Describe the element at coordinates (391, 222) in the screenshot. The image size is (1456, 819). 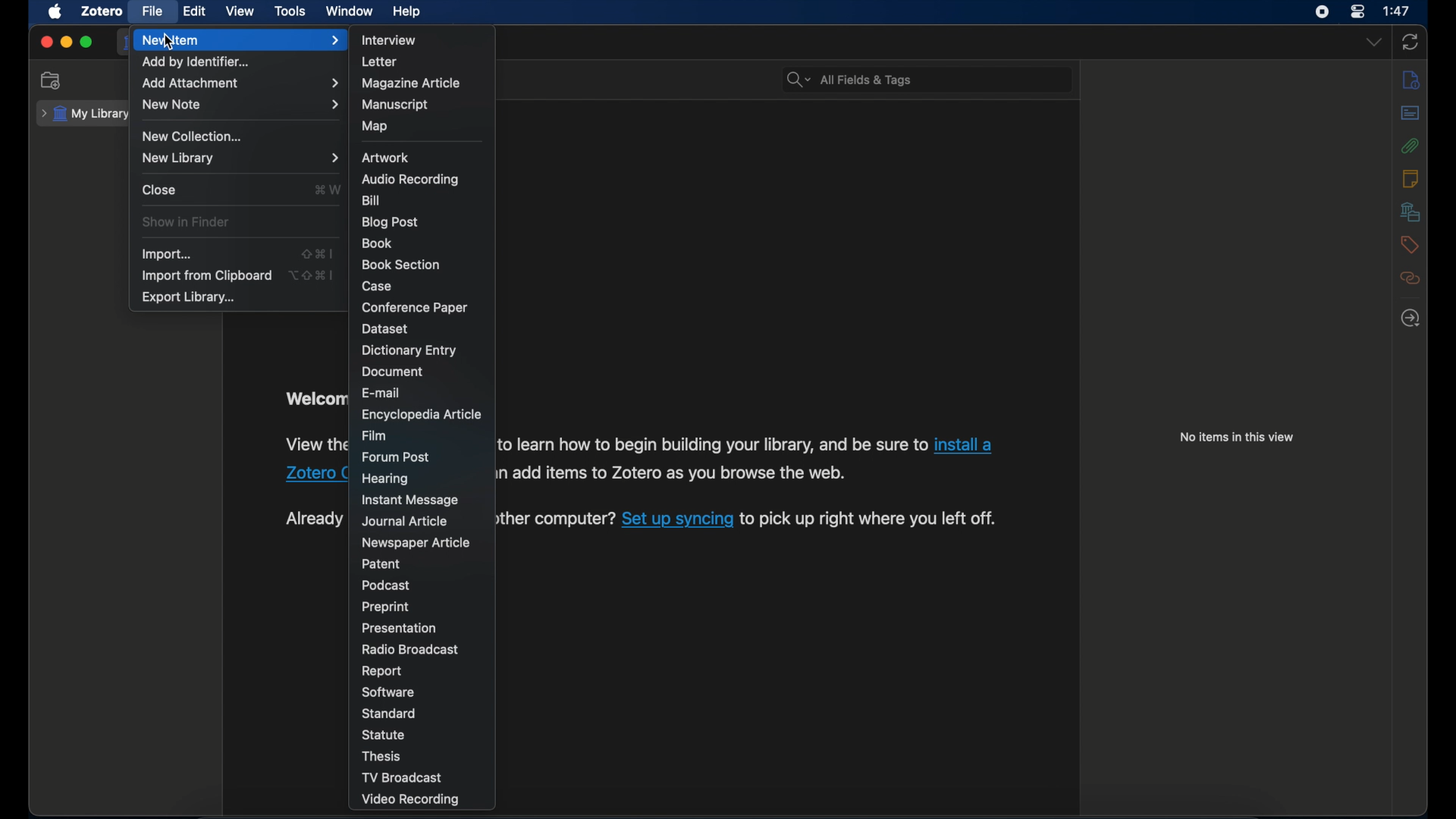
I see `blog post` at that location.